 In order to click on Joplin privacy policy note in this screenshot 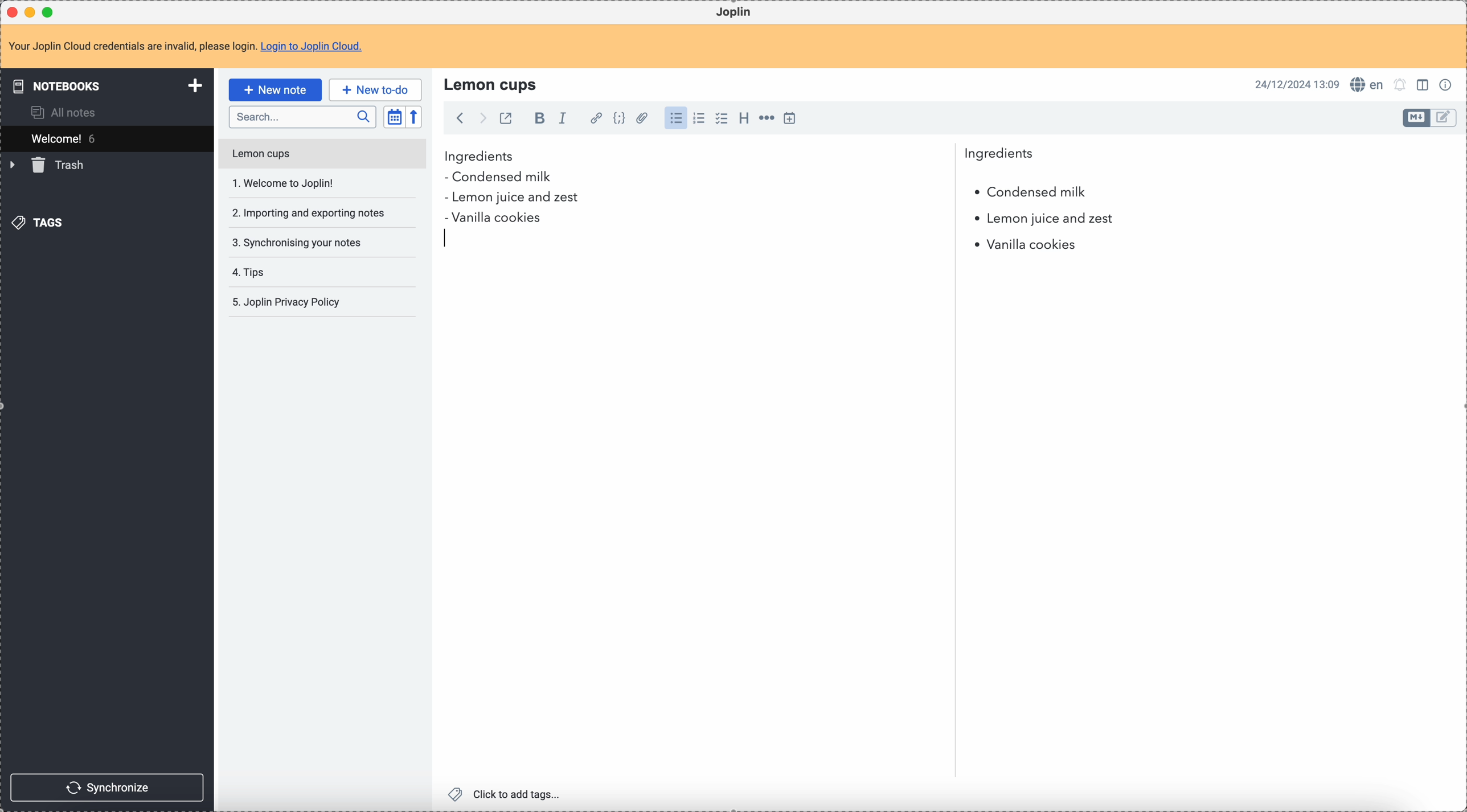, I will do `click(289, 302)`.